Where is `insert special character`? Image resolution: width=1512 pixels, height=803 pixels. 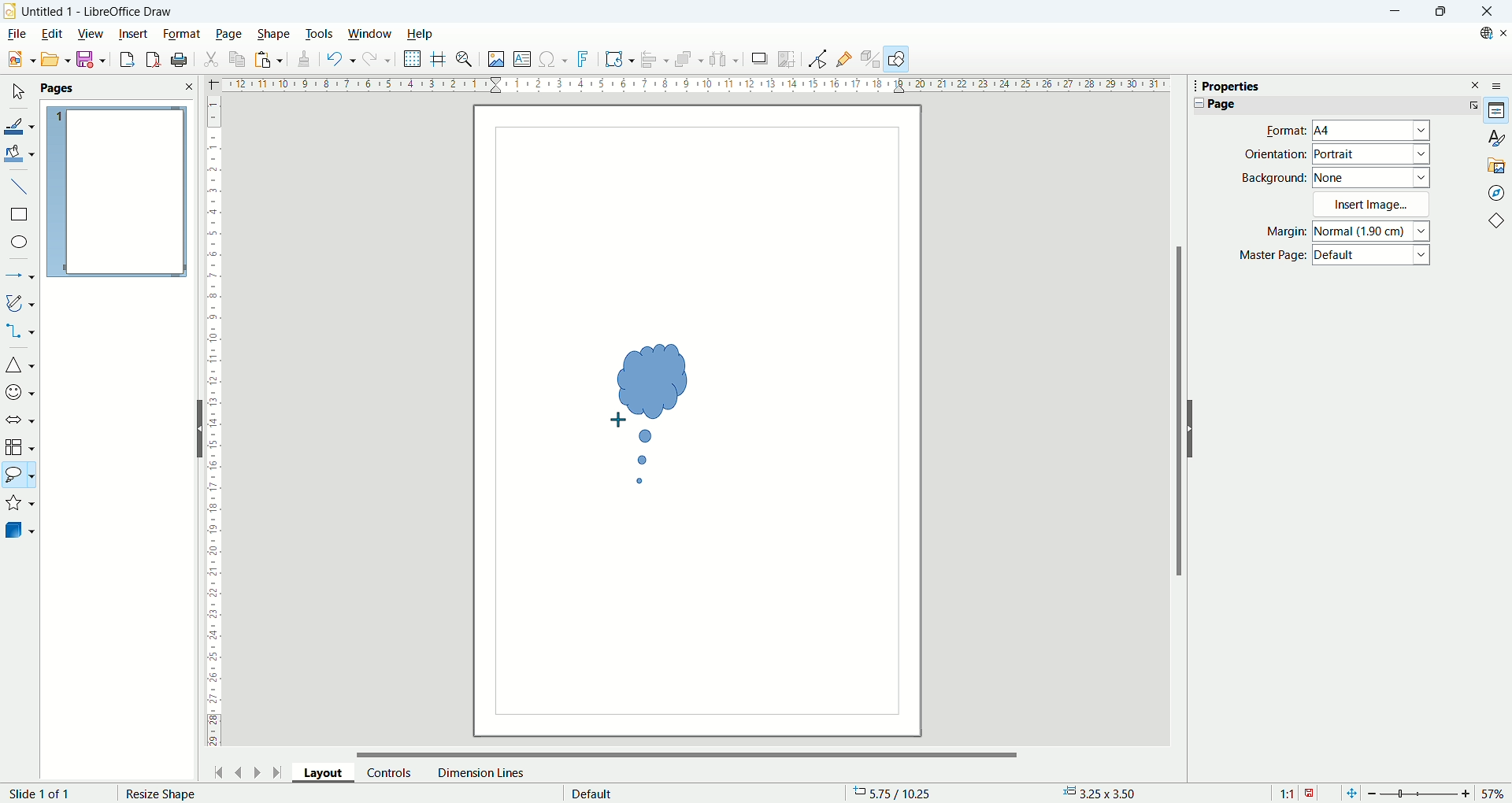 insert special character is located at coordinates (555, 58).